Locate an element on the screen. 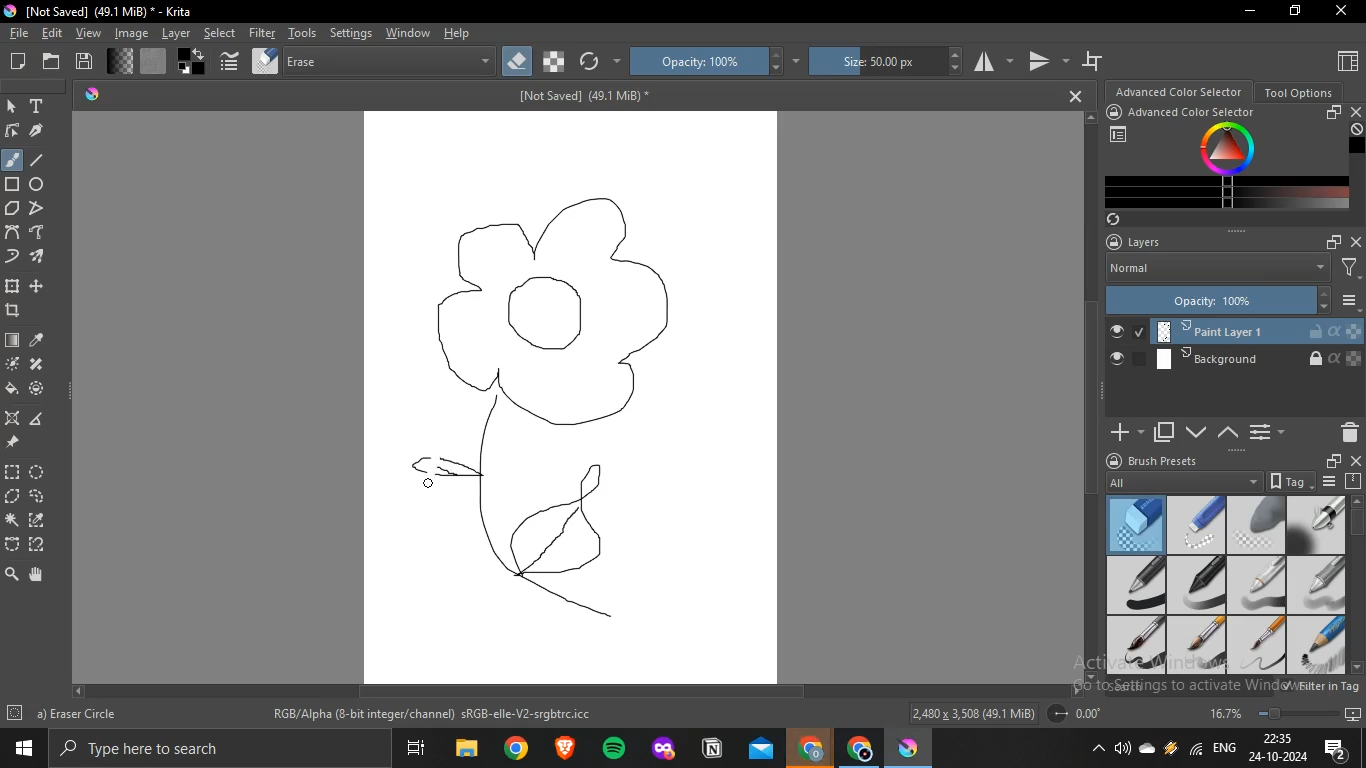  Krita logo is located at coordinates (91, 93).